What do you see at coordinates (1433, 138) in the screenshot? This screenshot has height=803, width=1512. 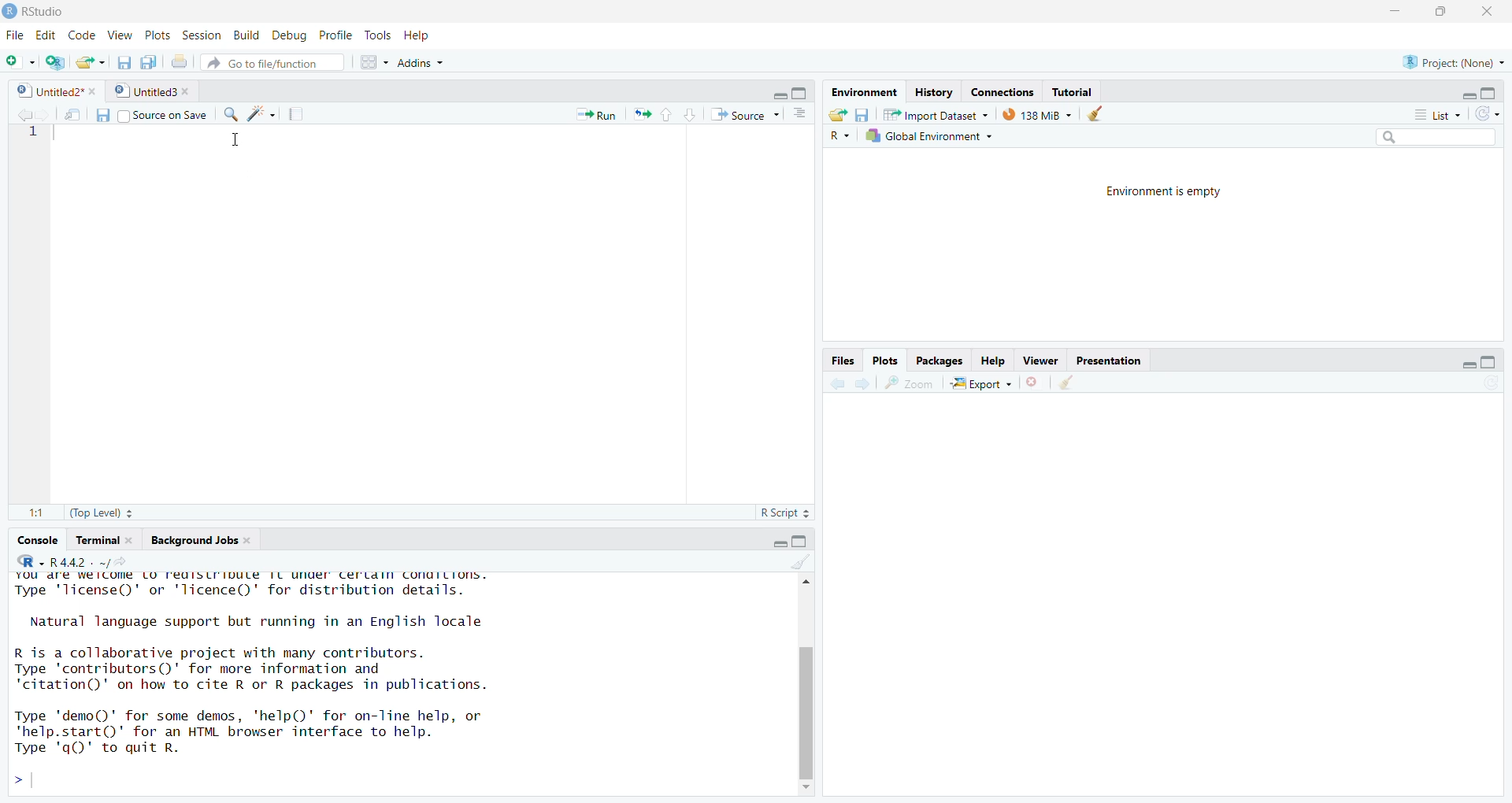 I see `search` at bounding box center [1433, 138].